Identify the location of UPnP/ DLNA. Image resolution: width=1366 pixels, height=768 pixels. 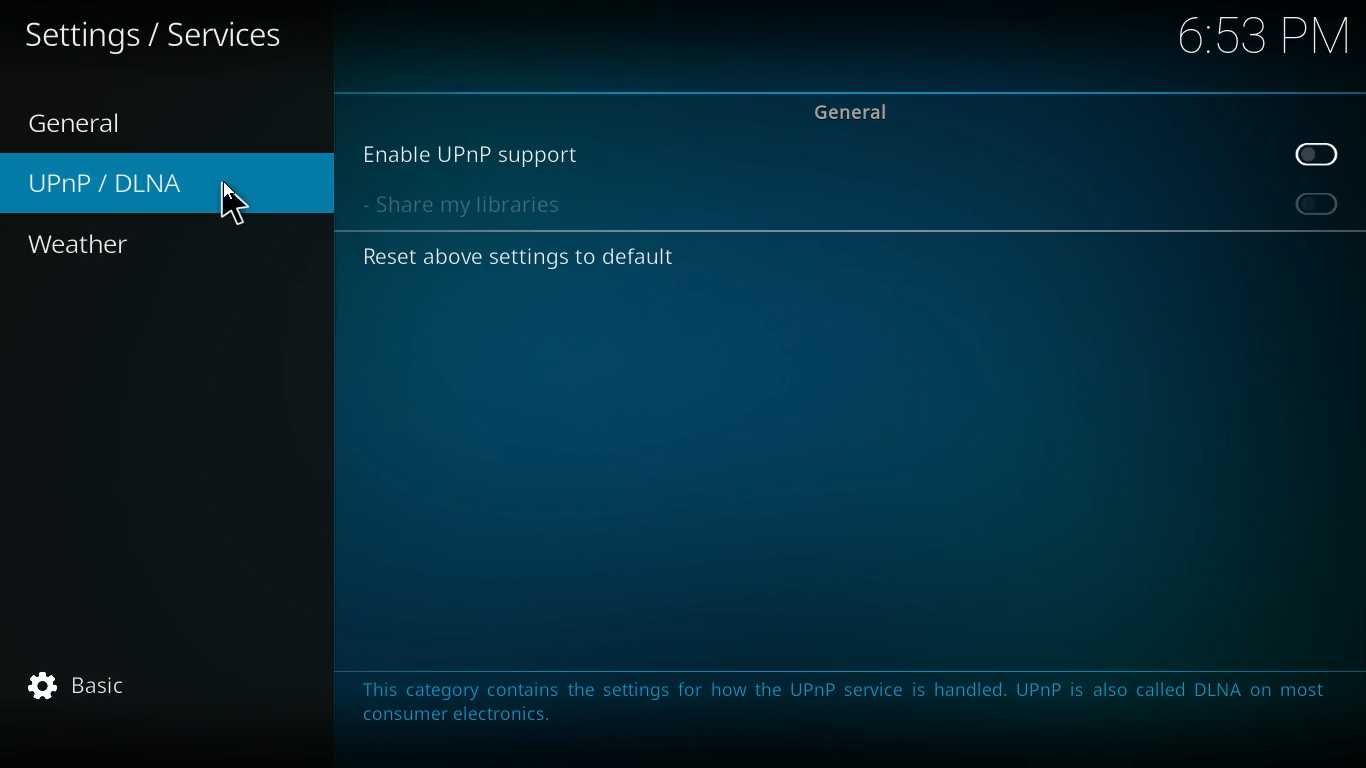
(165, 184).